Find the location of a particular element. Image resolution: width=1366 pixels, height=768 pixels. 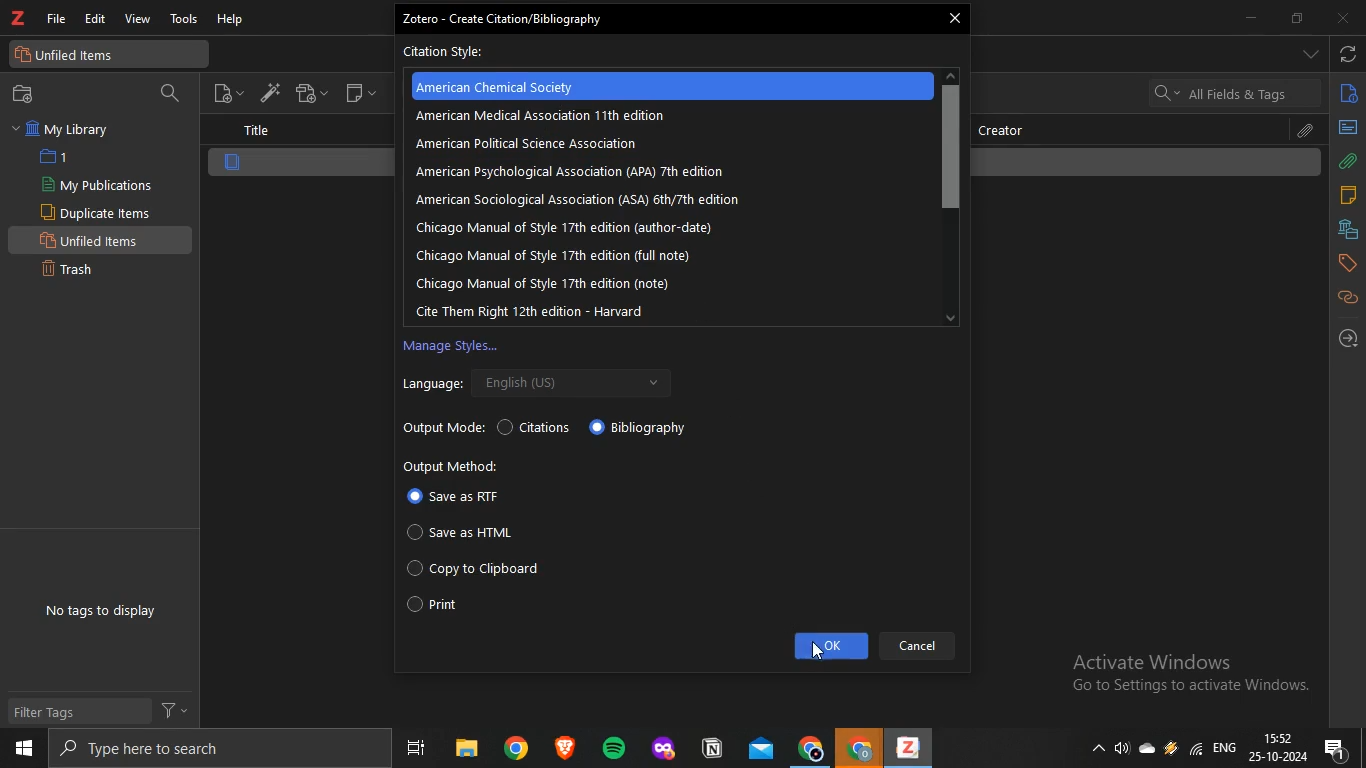

attachment is located at coordinates (1307, 131).